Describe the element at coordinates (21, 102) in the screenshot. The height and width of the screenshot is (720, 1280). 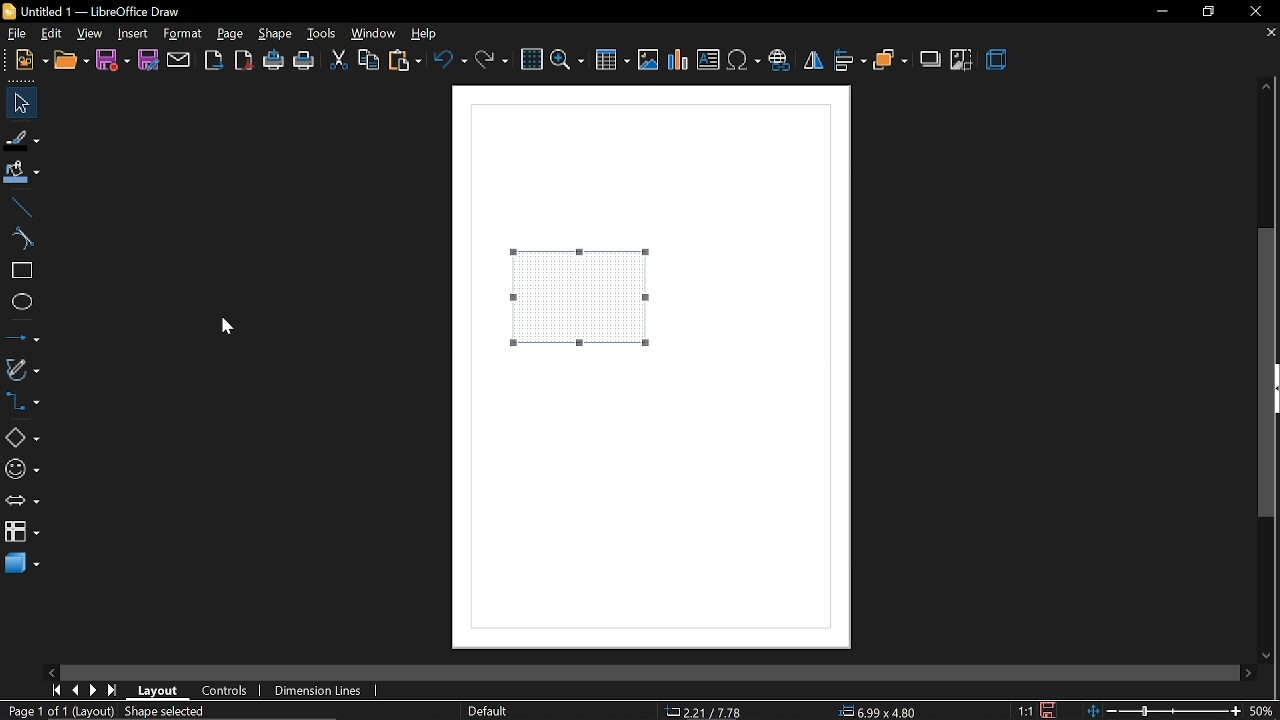
I see `select` at that location.